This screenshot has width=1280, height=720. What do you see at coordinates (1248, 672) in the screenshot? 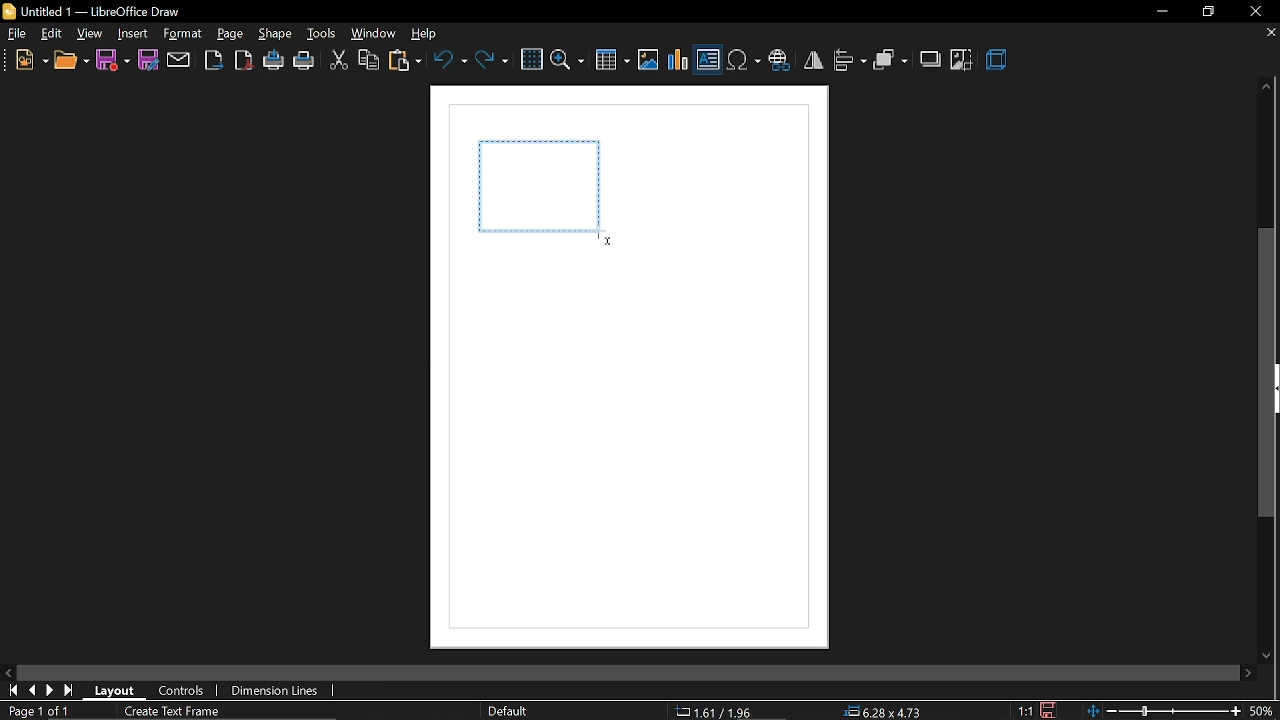
I see `move right` at bounding box center [1248, 672].